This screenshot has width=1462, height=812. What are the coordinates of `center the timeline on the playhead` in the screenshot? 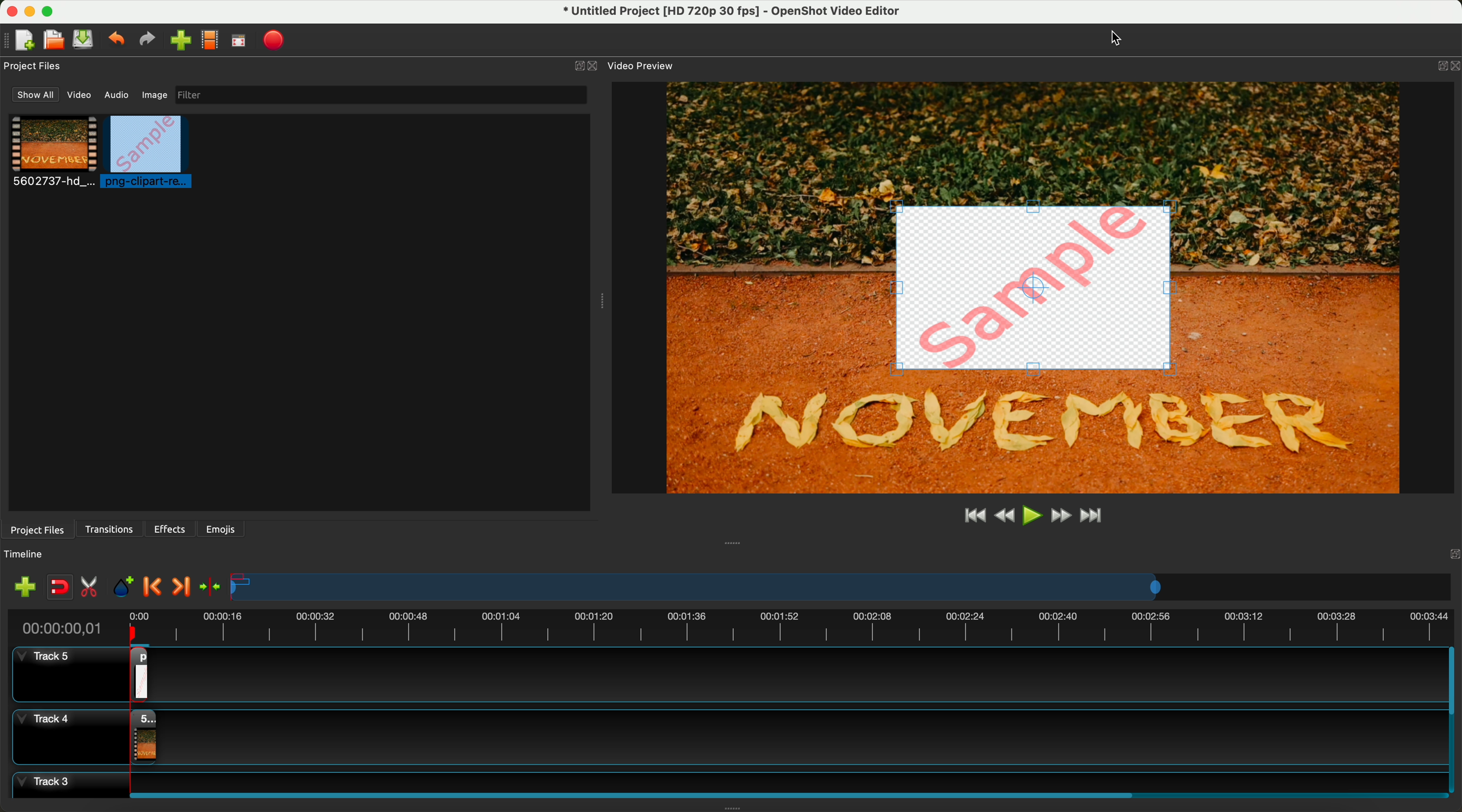 It's located at (209, 586).